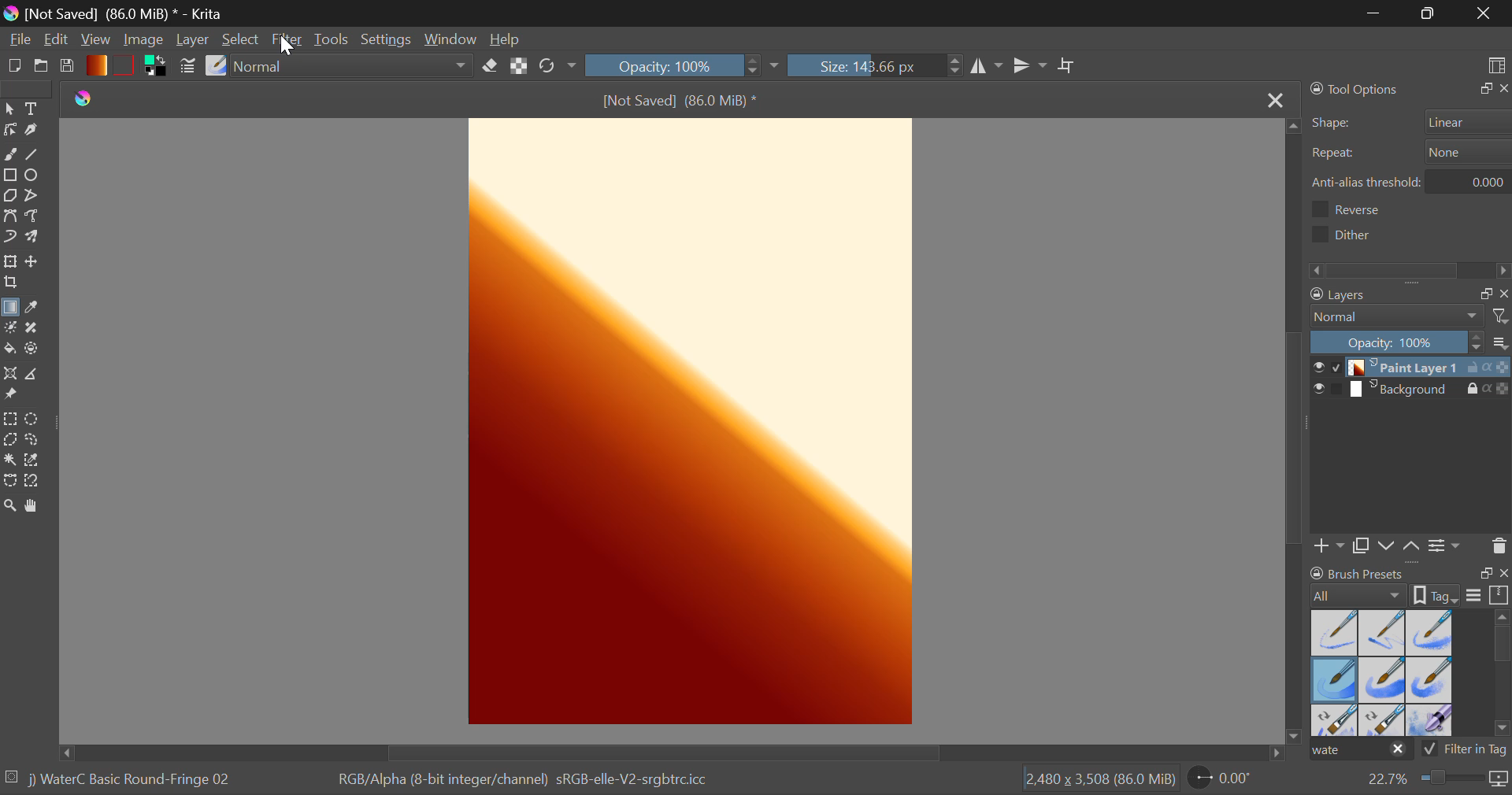 The height and width of the screenshot is (795, 1512). I want to click on move left, so click(56, 749).